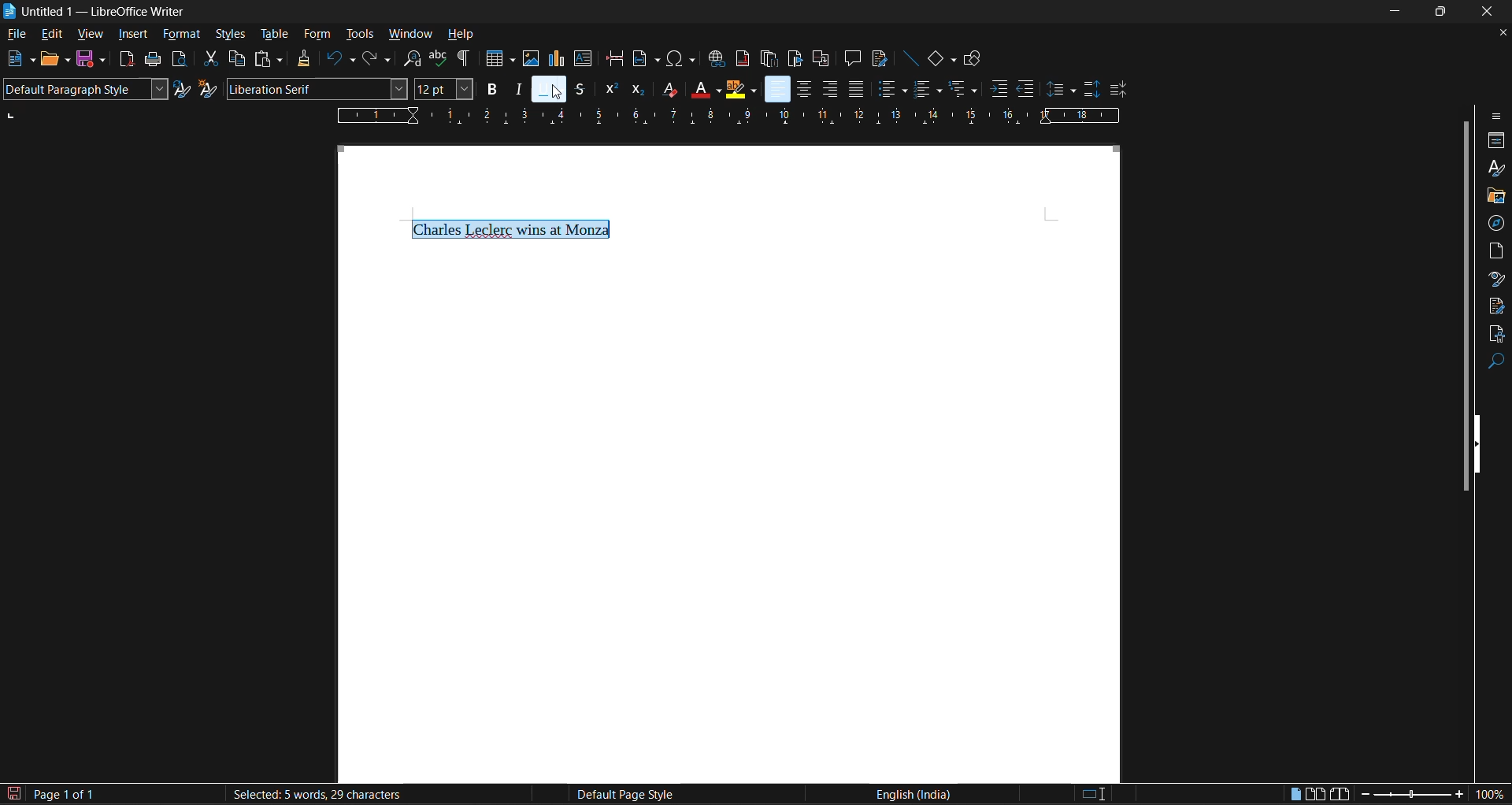 Image resolution: width=1512 pixels, height=805 pixels. I want to click on accessibility check, so click(1495, 335).